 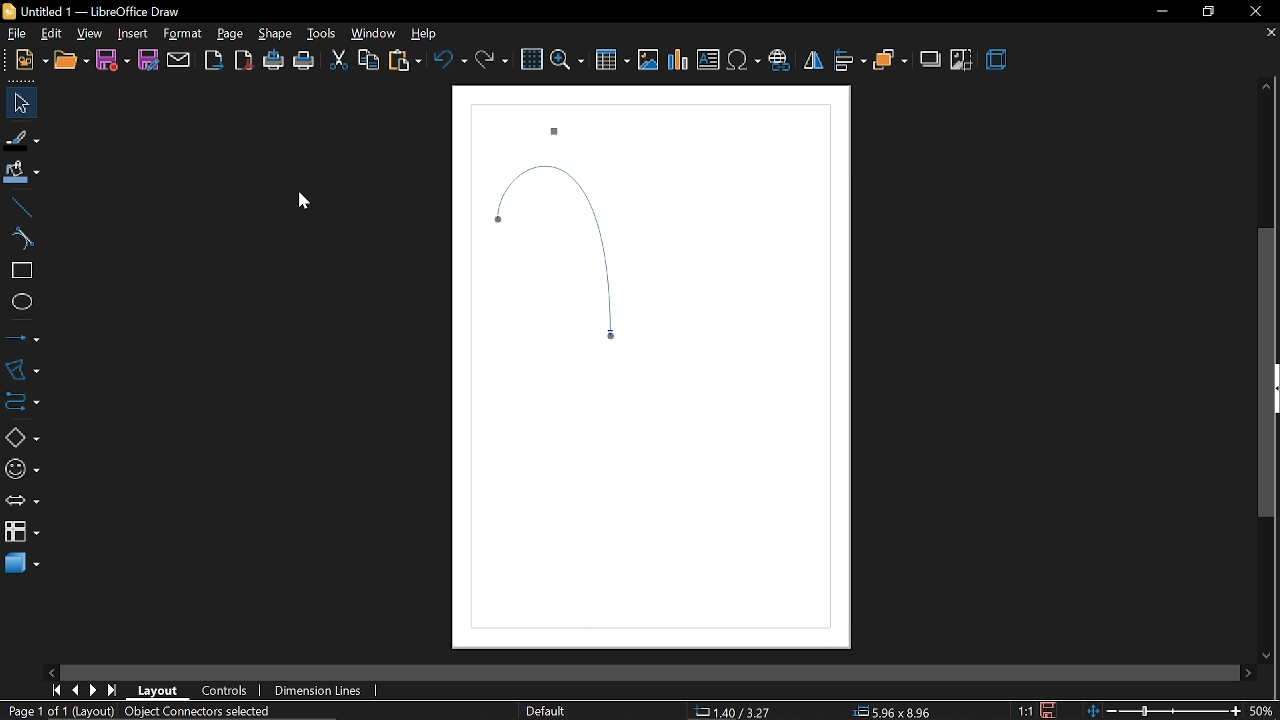 What do you see at coordinates (530, 59) in the screenshot?
I see `grid` at bounding box center [530, 59].